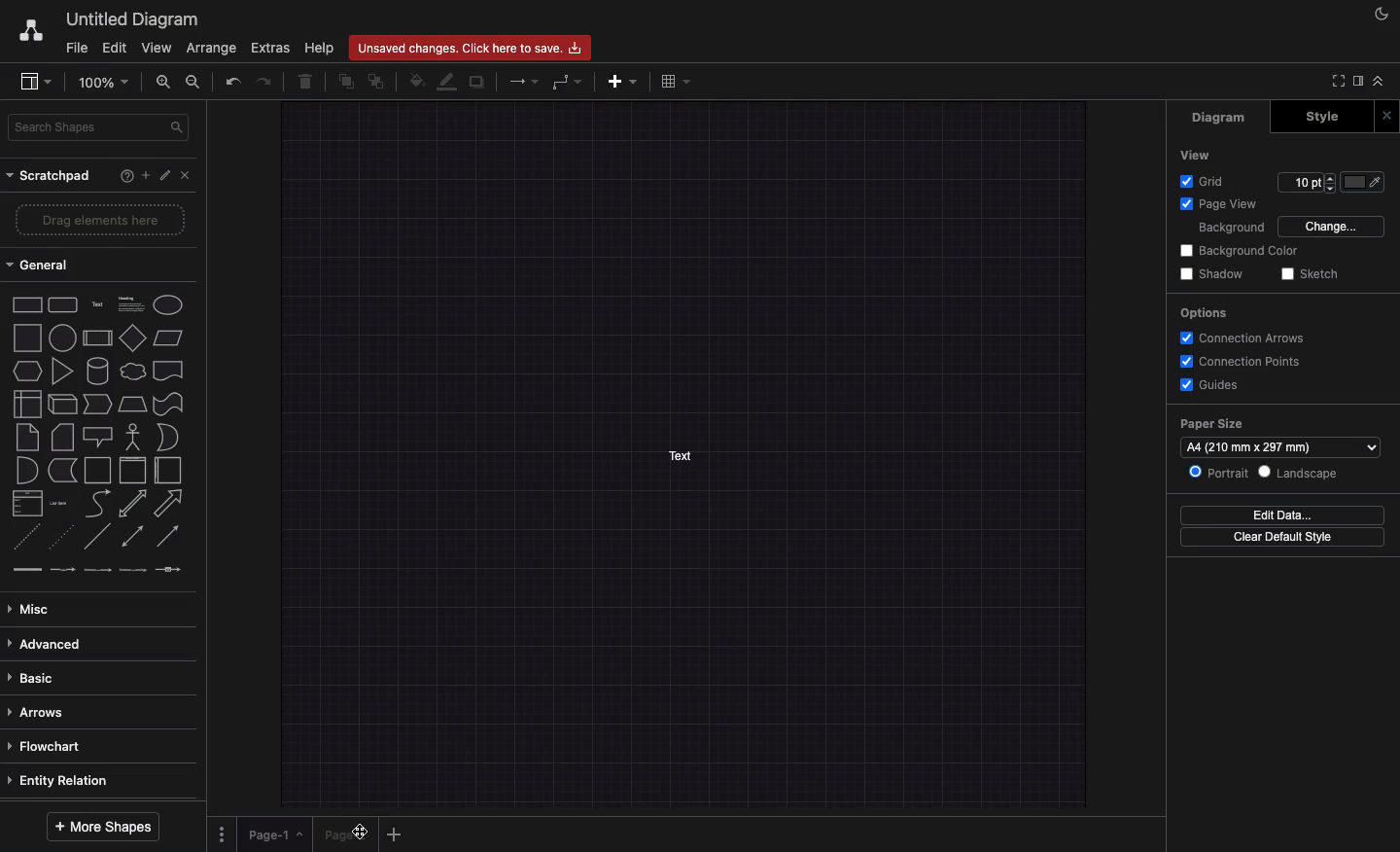  Describe the element at coordinates (265, 84) in the screenshot. I see `Redo` at that location.